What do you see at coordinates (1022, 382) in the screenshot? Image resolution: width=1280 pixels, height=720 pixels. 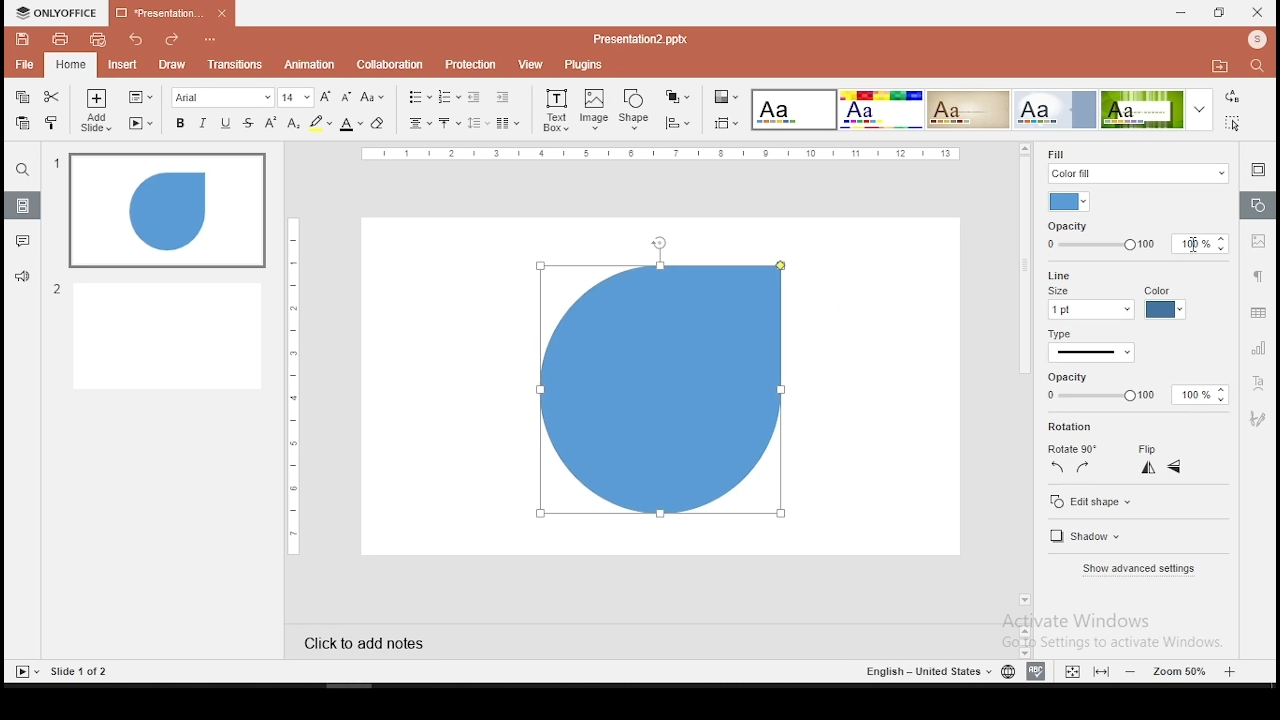 I see `scroll bar` at bounding box center [1022, 382].